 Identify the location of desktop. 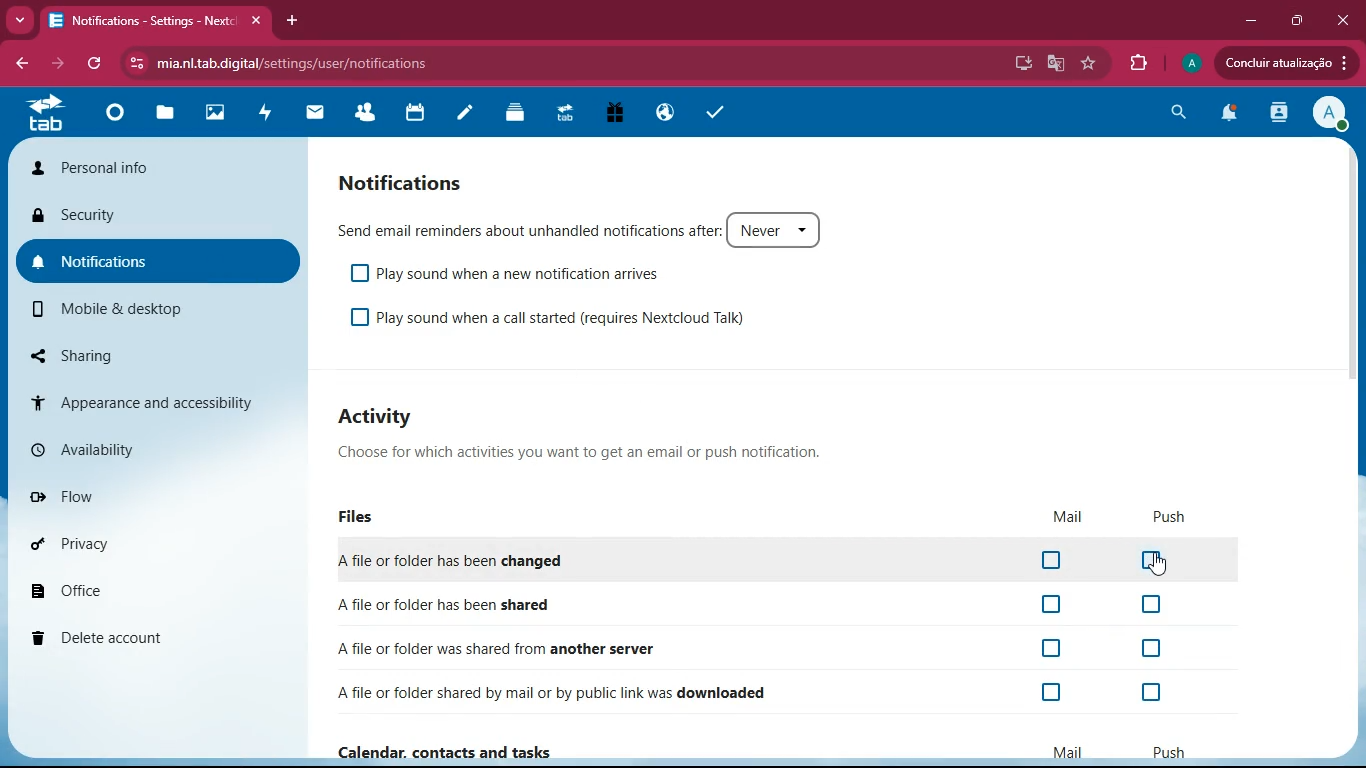
(1020, 63).